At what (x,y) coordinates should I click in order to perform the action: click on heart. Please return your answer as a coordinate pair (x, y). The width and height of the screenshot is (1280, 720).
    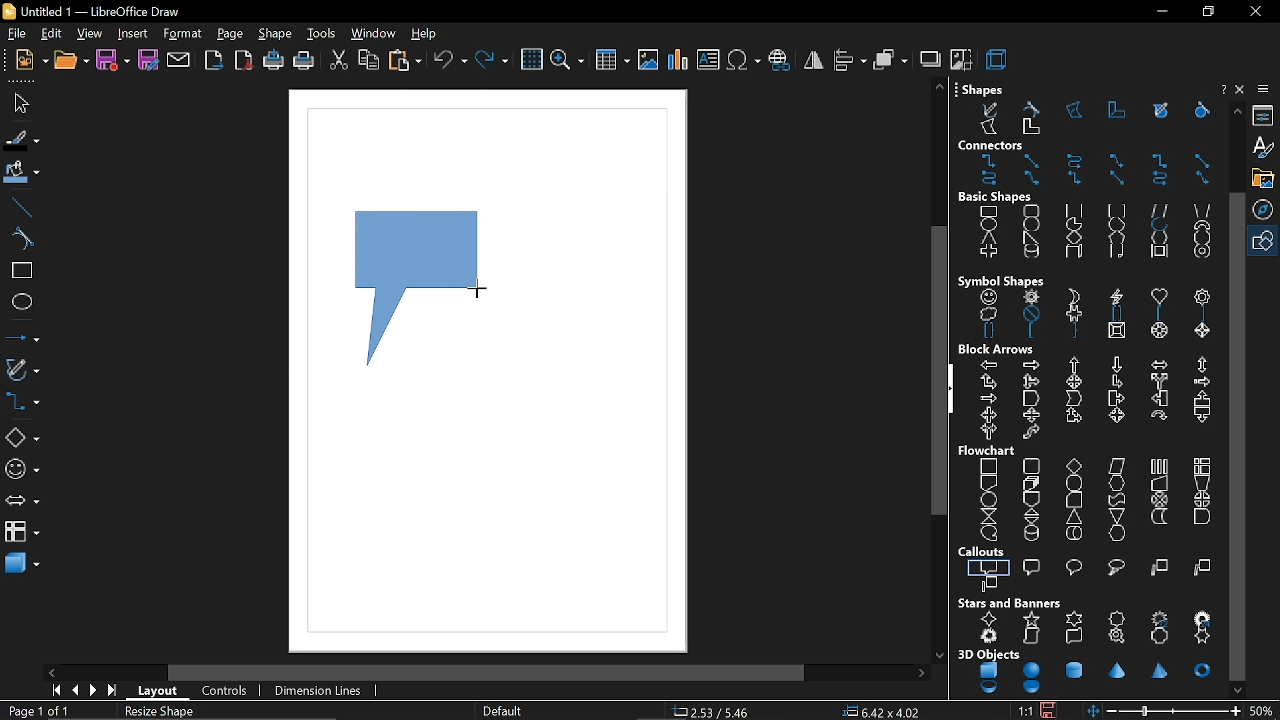
    Looking at the image, I should click on (1159, 297).